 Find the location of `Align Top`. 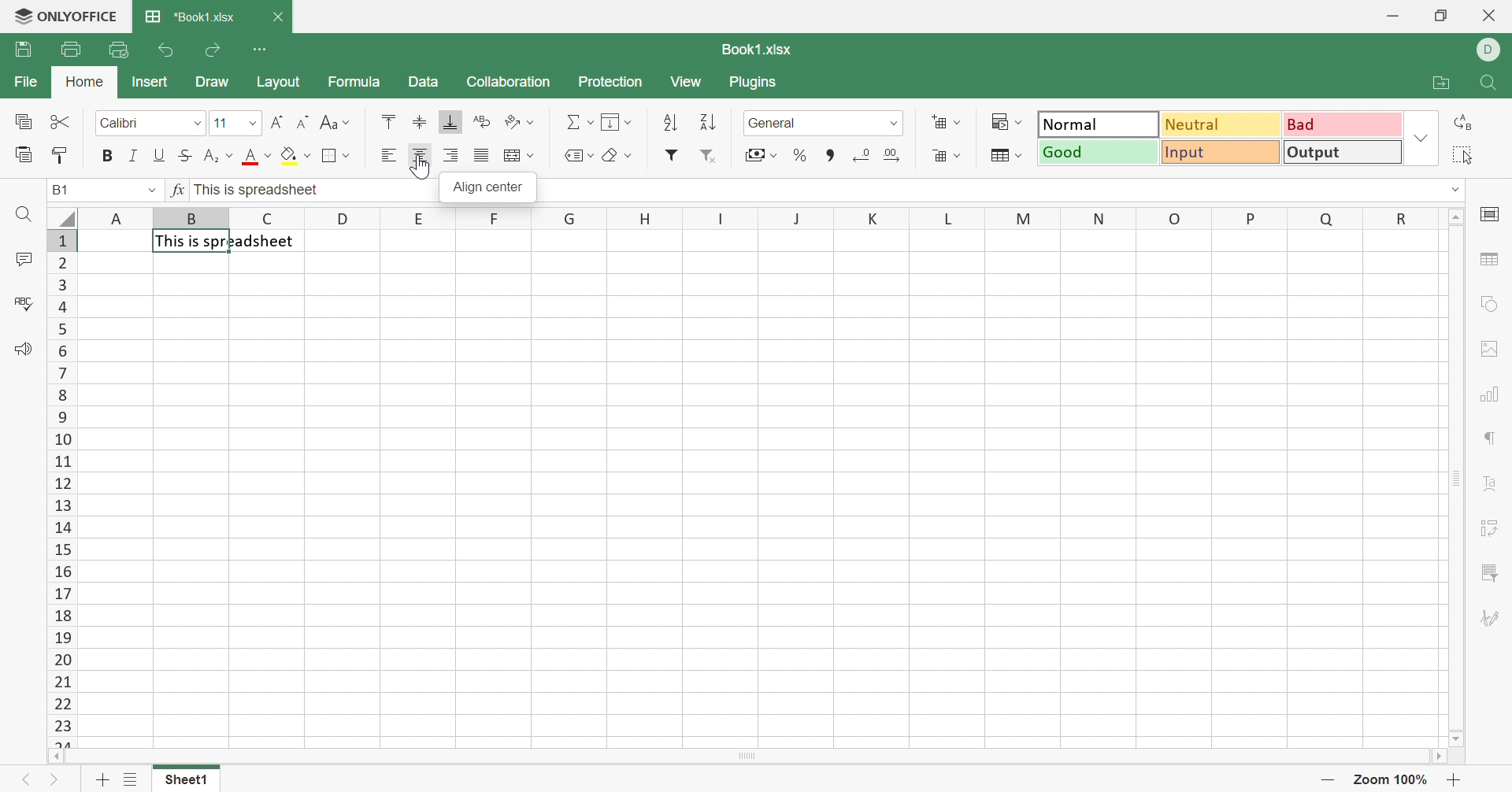

Align Top is located at coordinates (391, 120).